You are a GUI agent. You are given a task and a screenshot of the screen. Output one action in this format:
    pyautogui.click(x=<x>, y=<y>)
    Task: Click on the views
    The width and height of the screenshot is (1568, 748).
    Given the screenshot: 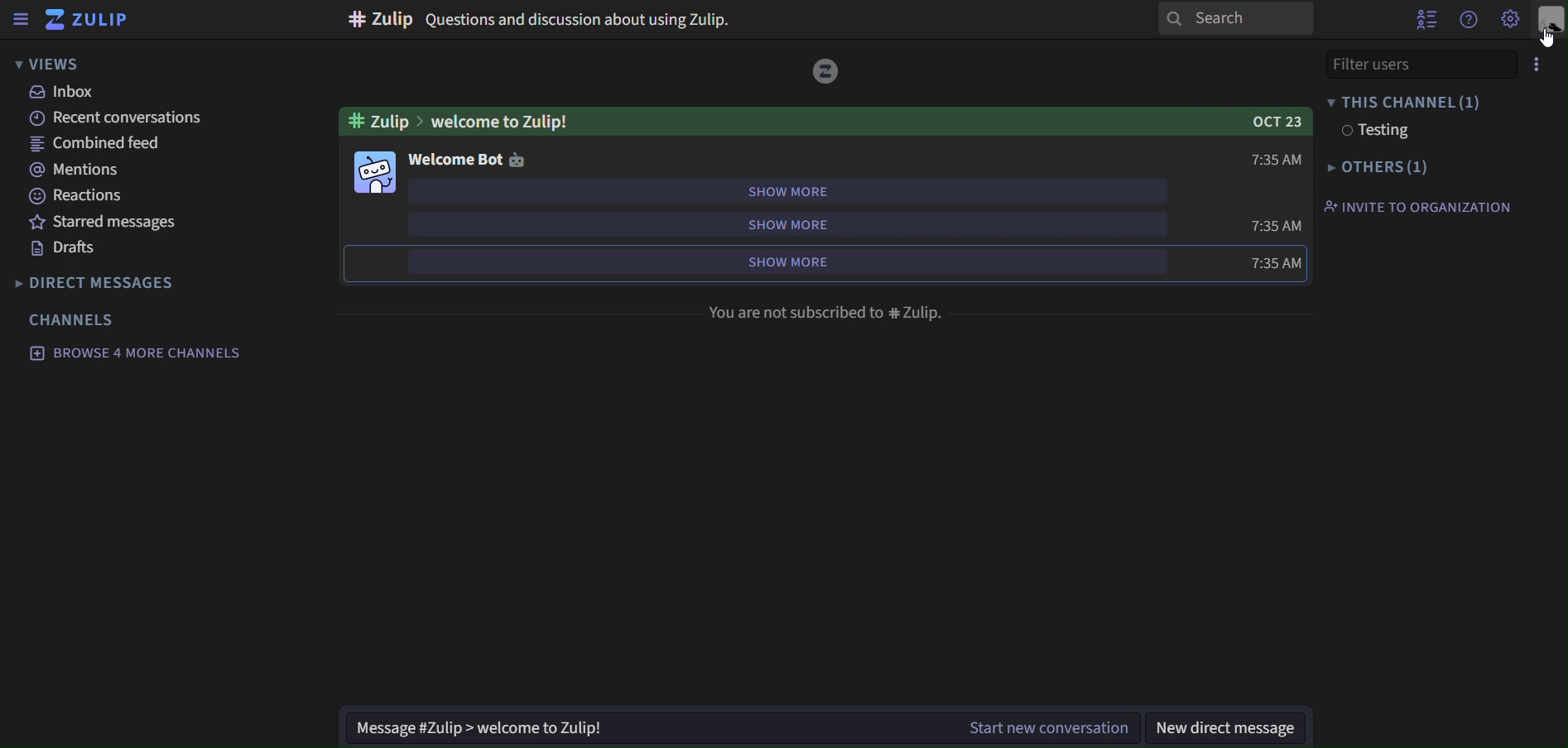 What is the action you would take?
    pyautogui.click(x=62, y=63)
    